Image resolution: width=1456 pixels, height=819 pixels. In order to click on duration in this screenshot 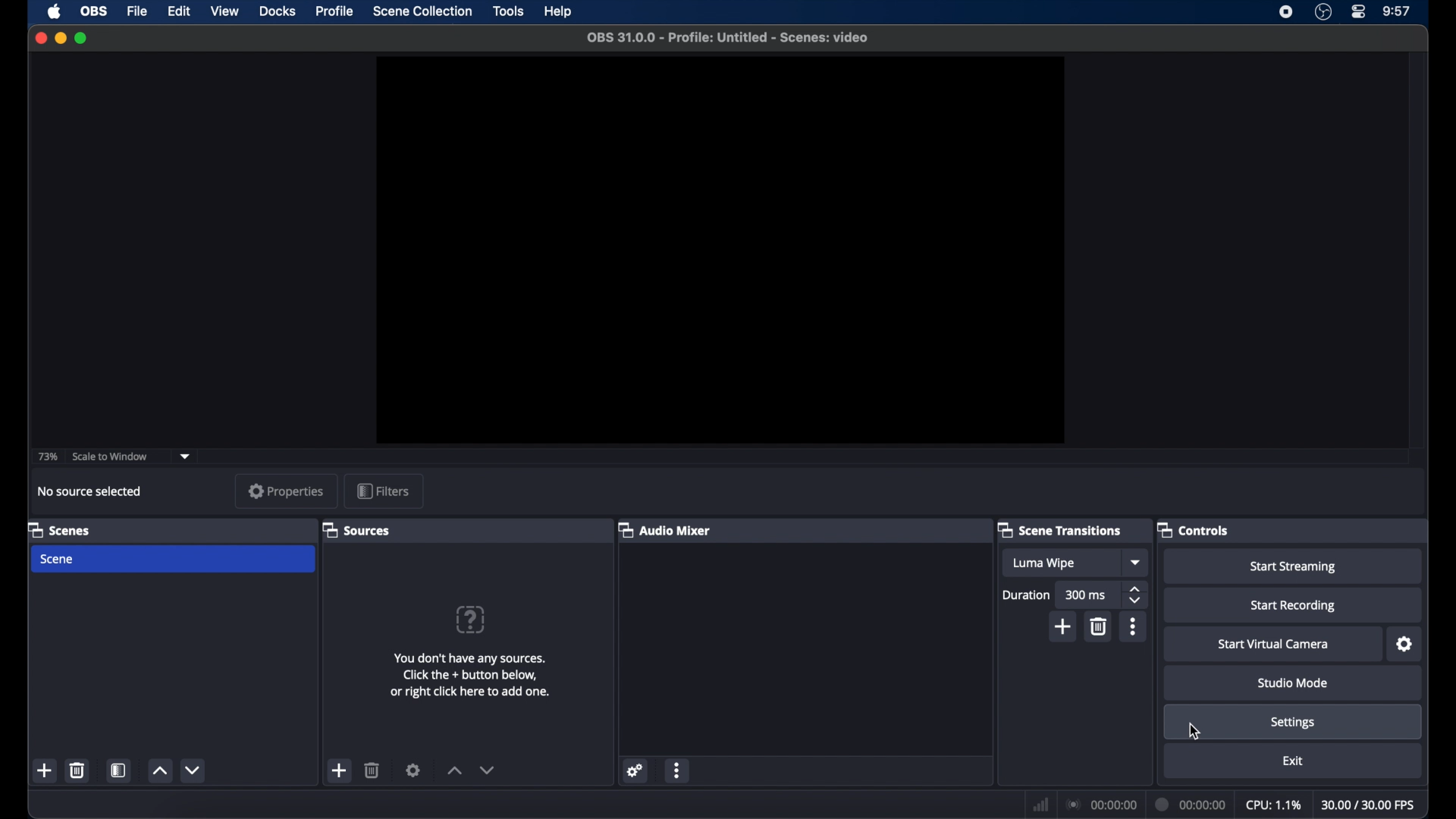, I will do `click(1192, 806)`.